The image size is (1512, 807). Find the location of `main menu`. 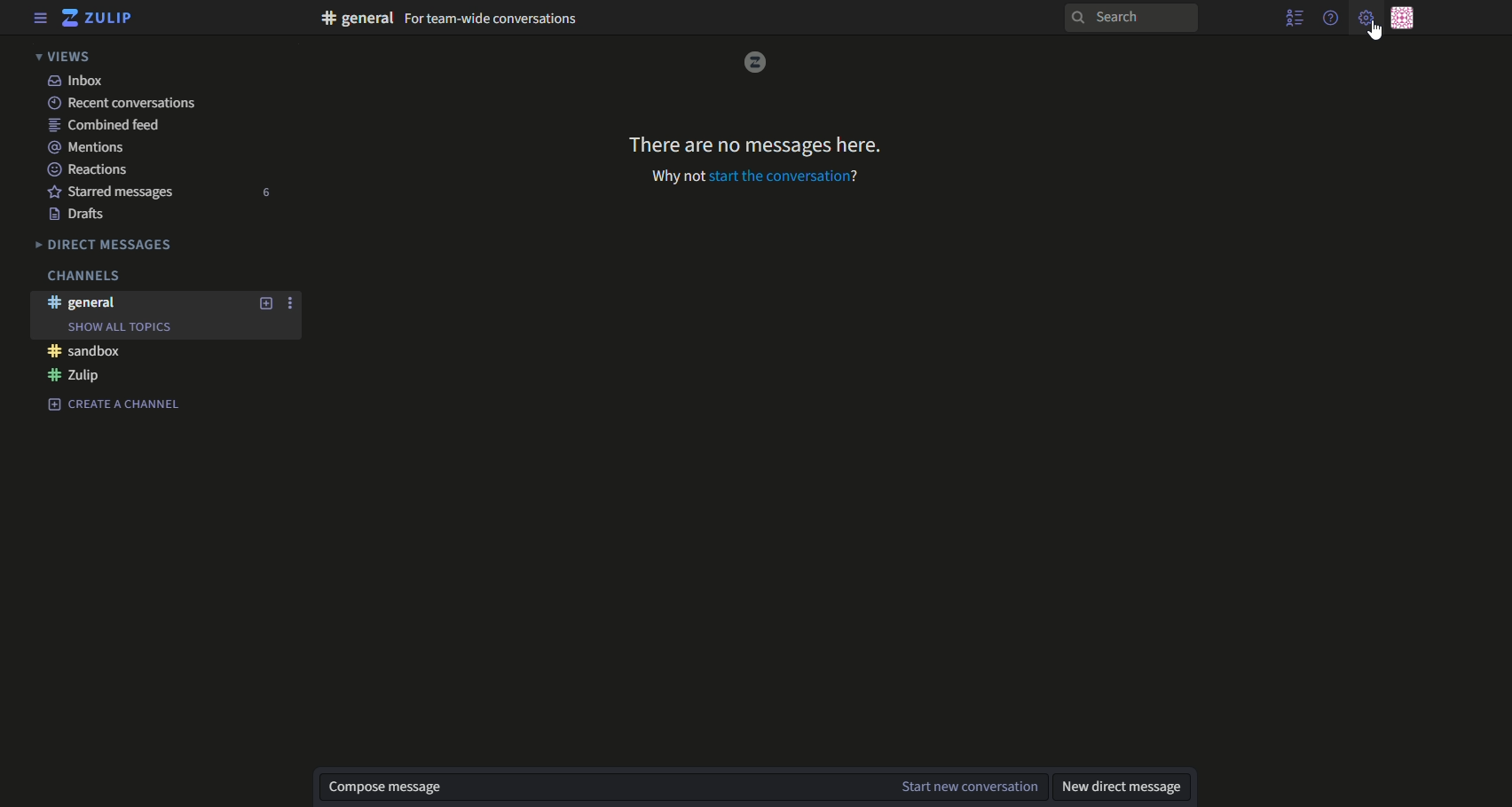

main menu is located at coordinates (1365, 17).